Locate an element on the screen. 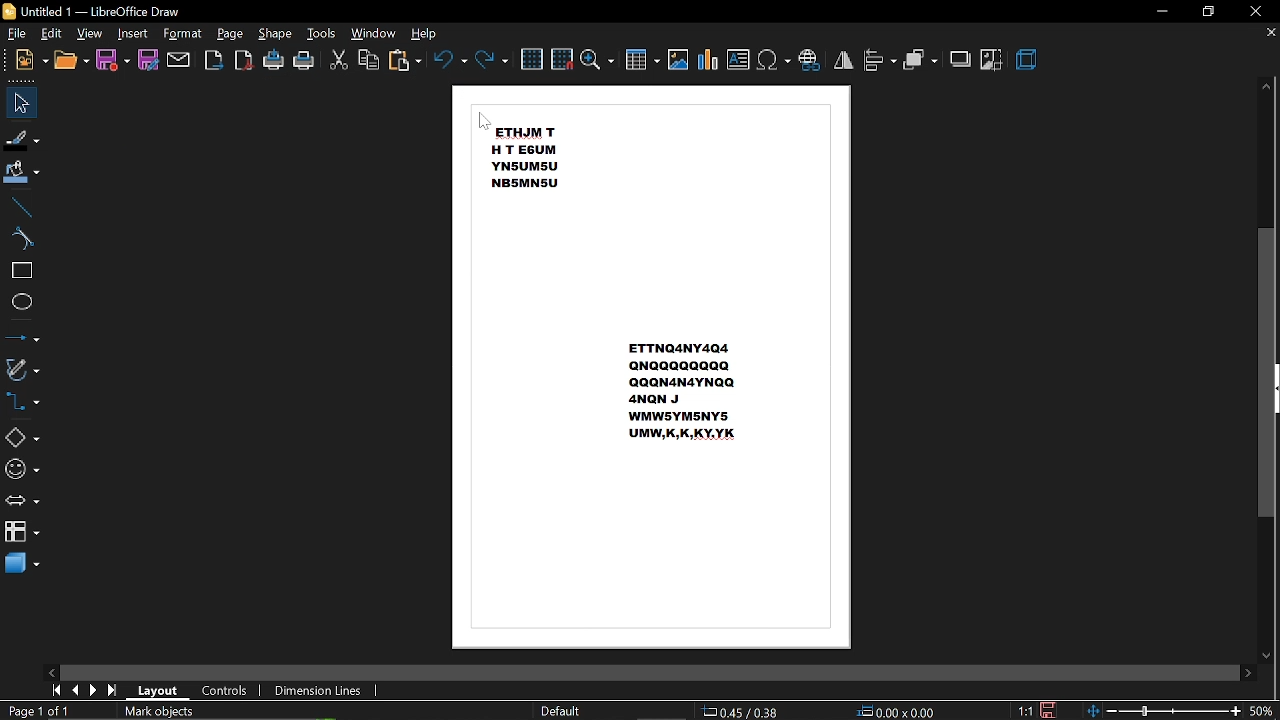  Move up is located at coordinates (1266, 88).